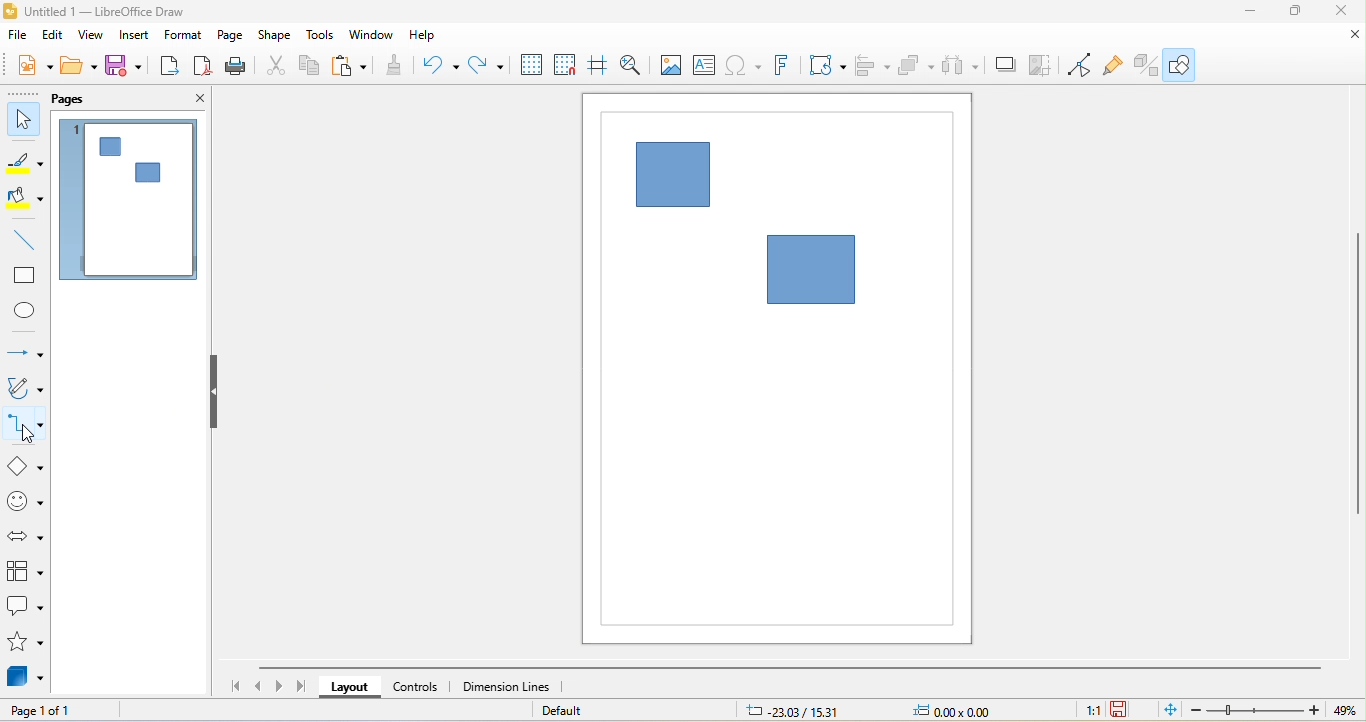 Image resolution: width=1366 pixels, height=722 pixels. Describe the element at coordinates (26, 388) in the screenshot. I see `curves and polygon` at that location.